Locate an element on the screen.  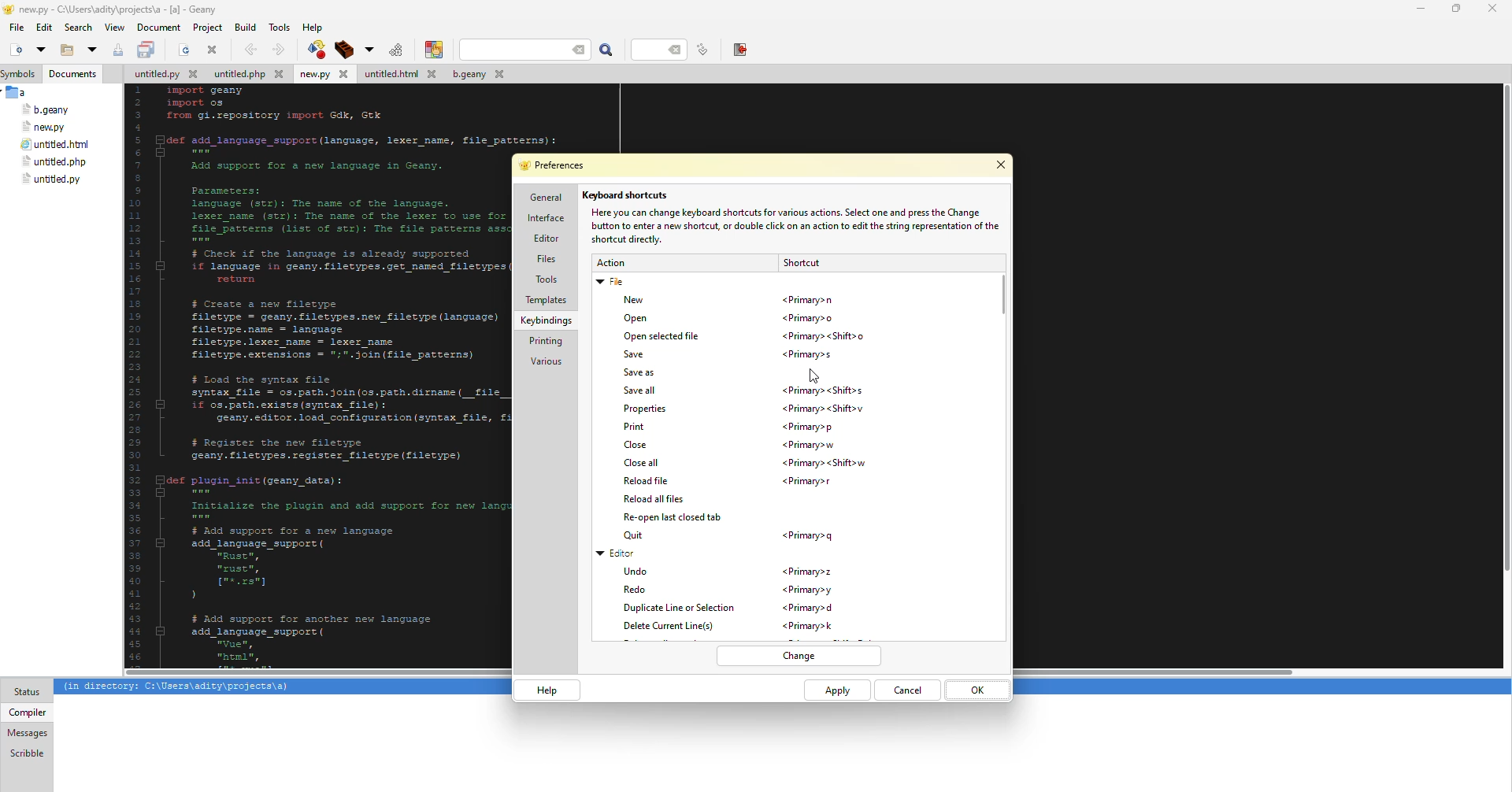
general is located at coordinates (544, 198).